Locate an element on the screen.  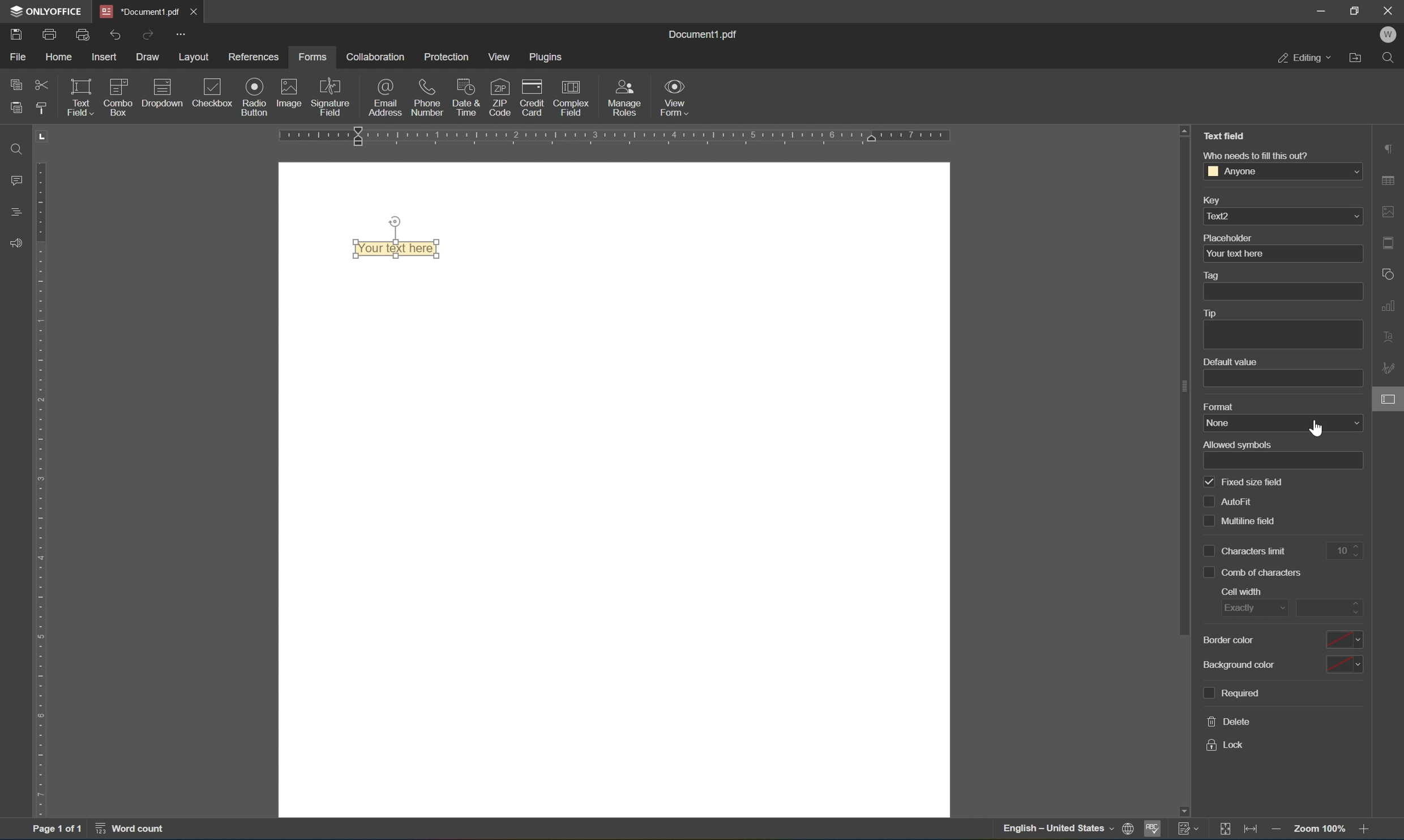
zoom out is located at coordinates (1278, 830).